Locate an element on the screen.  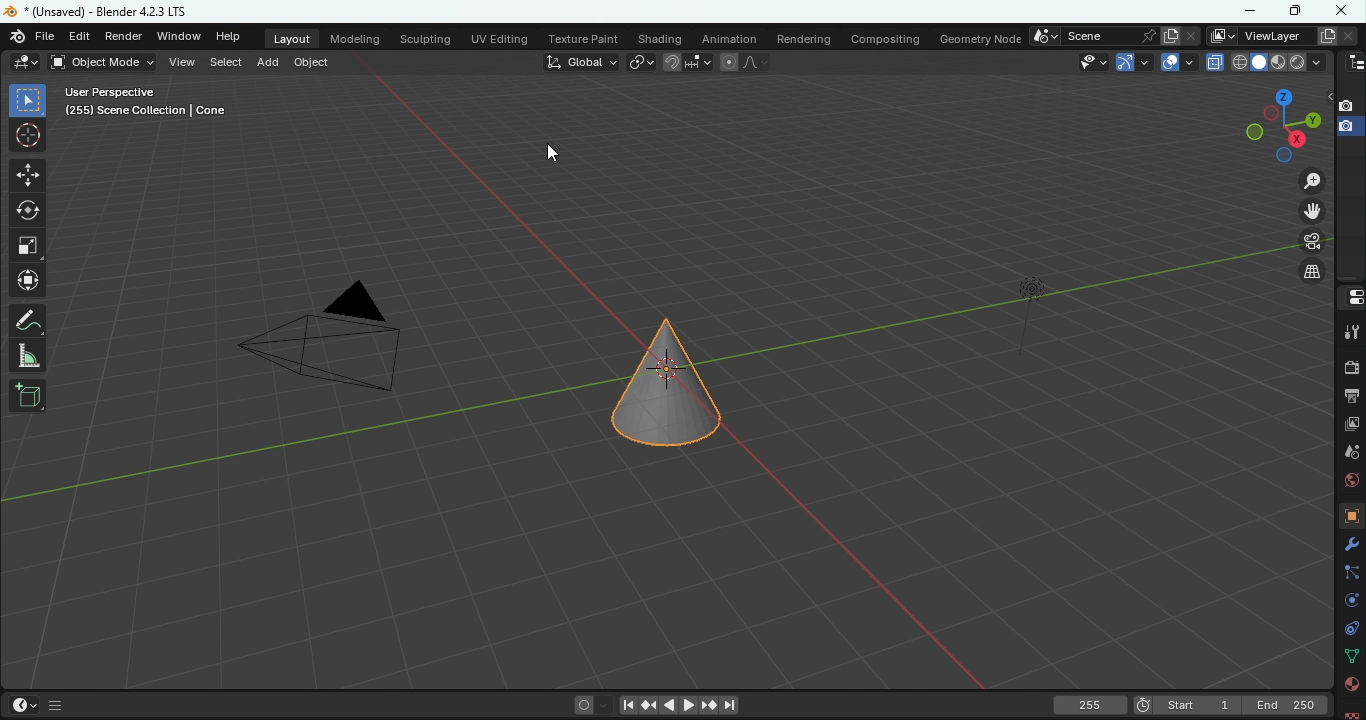
Last frame of playback/rendering range is located at coordinates (1287, 705).